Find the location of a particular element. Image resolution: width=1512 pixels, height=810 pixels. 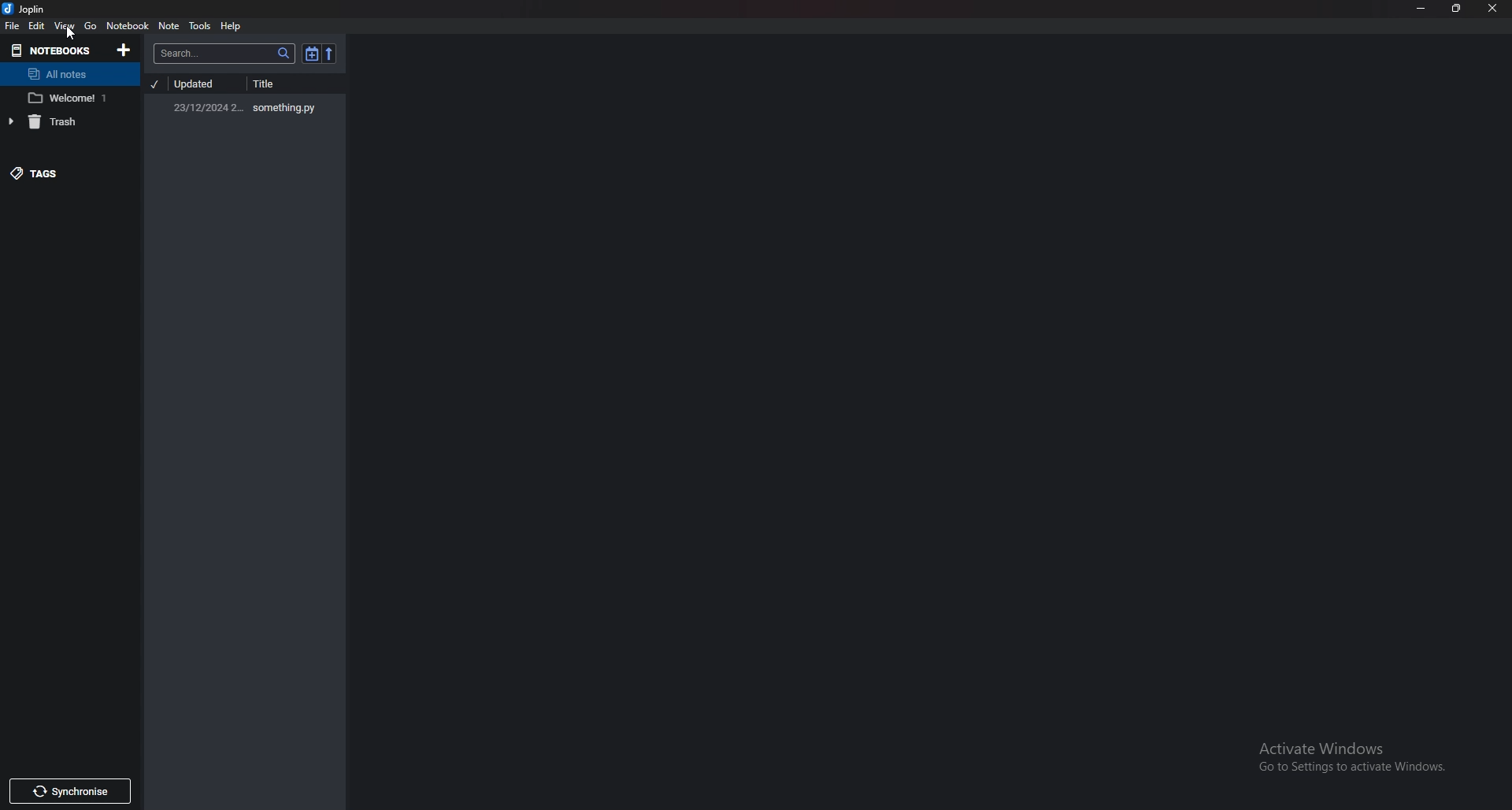

something.py is located at coordinates (250, 106).